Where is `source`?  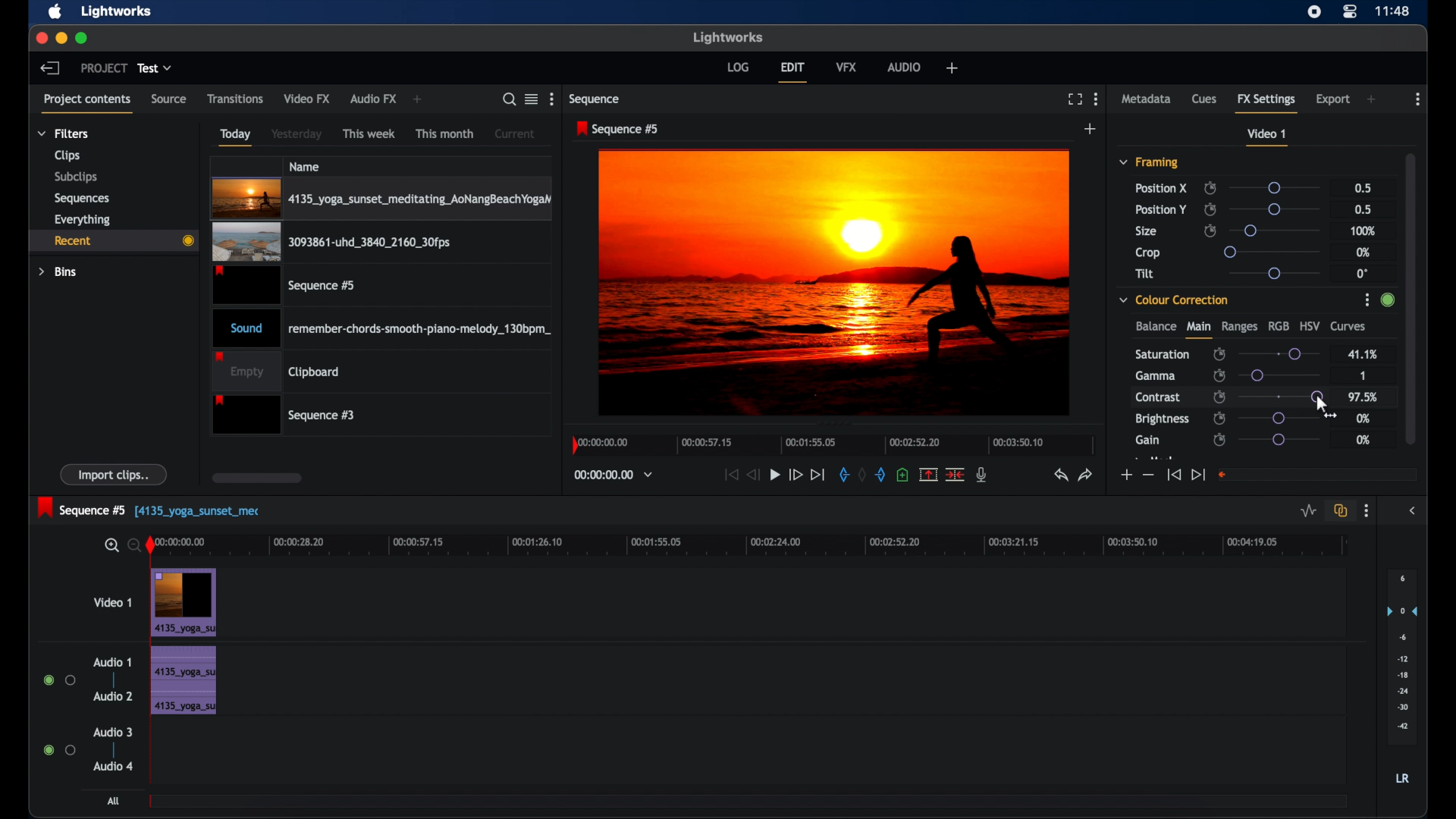 source is located at coordinates (169, 99).